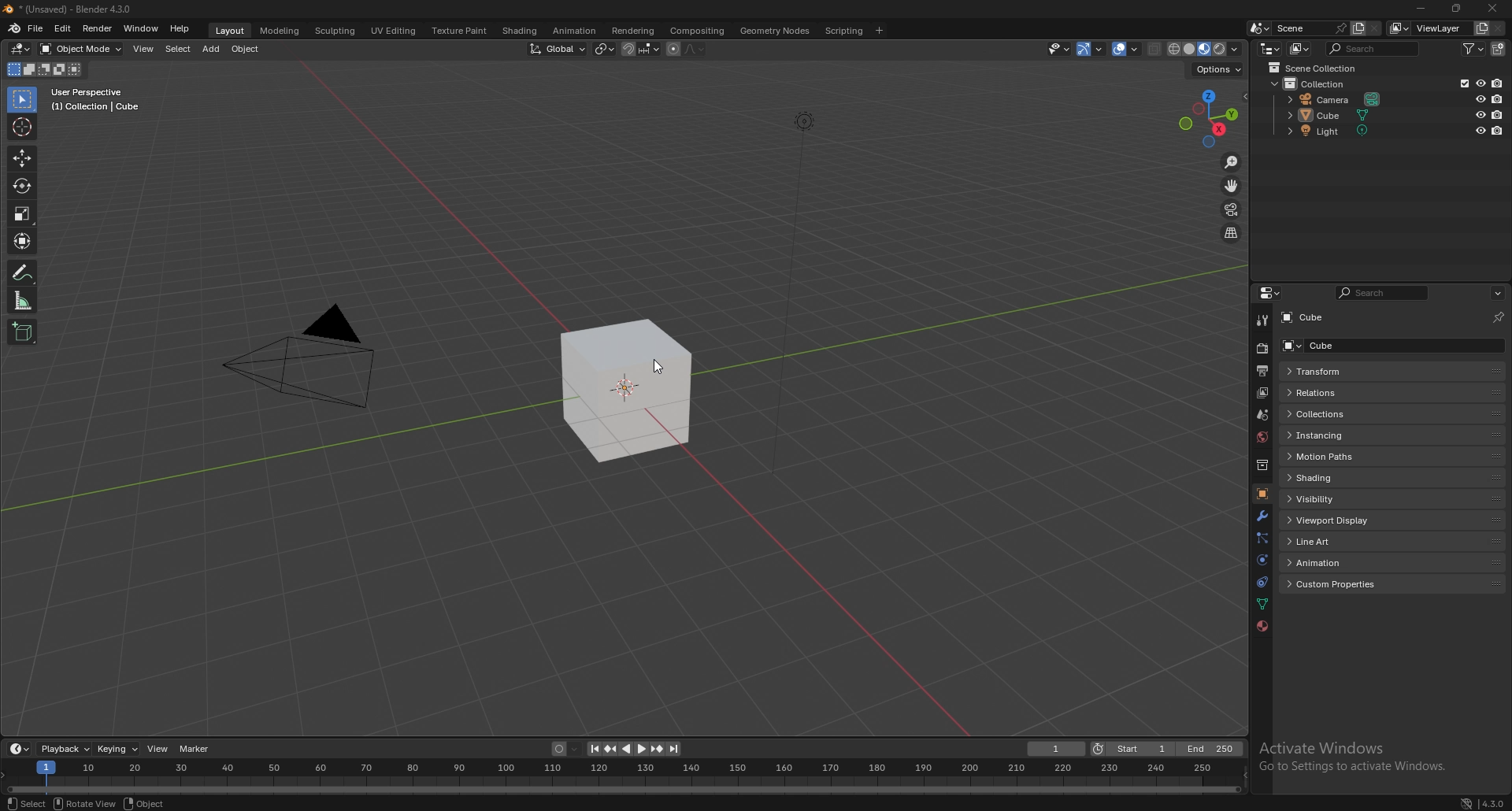 This screenshot has width=1512, height=811. I want to click on info, so click(96, 99).